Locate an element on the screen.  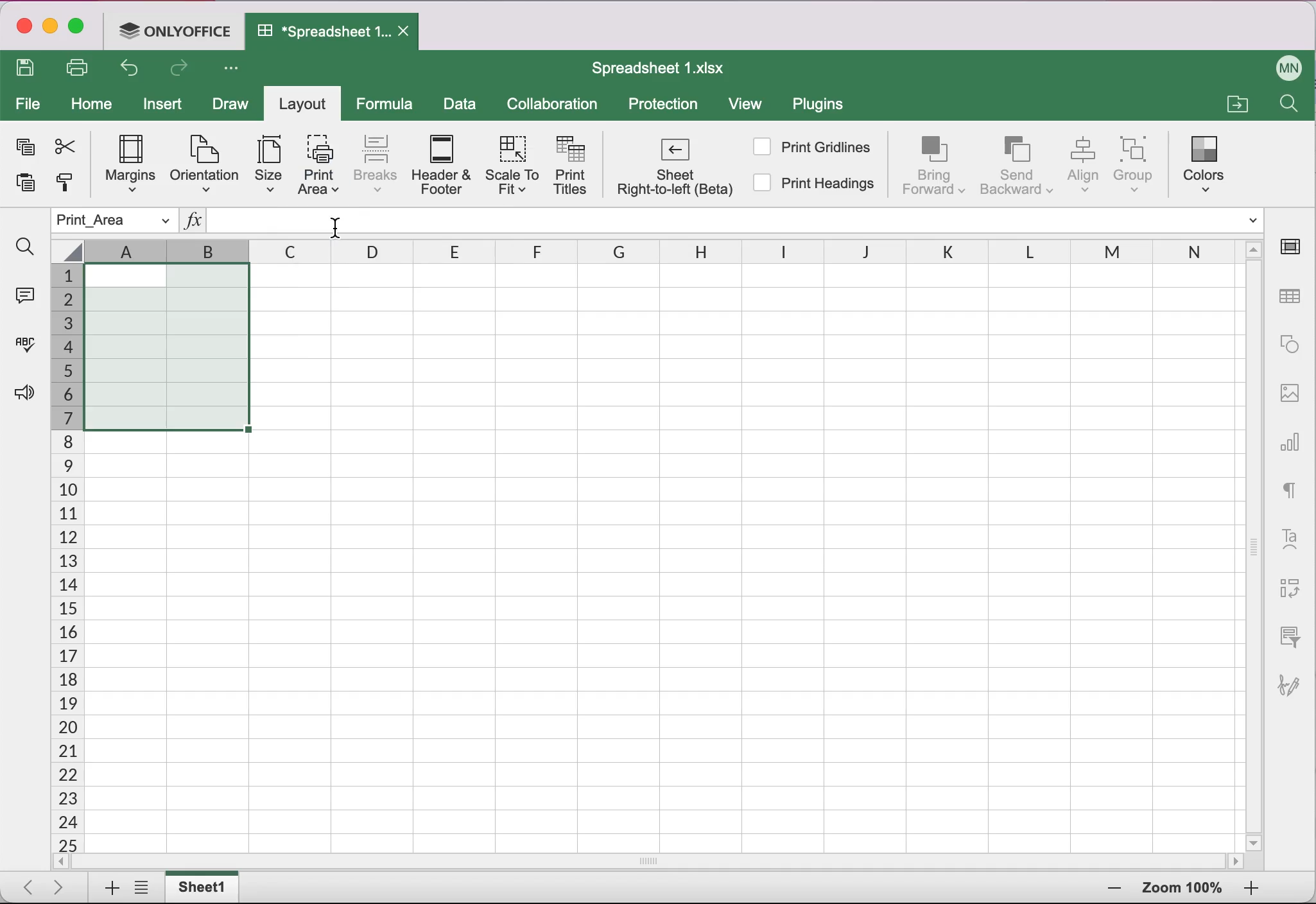
save is located at coordinates (29, 69).